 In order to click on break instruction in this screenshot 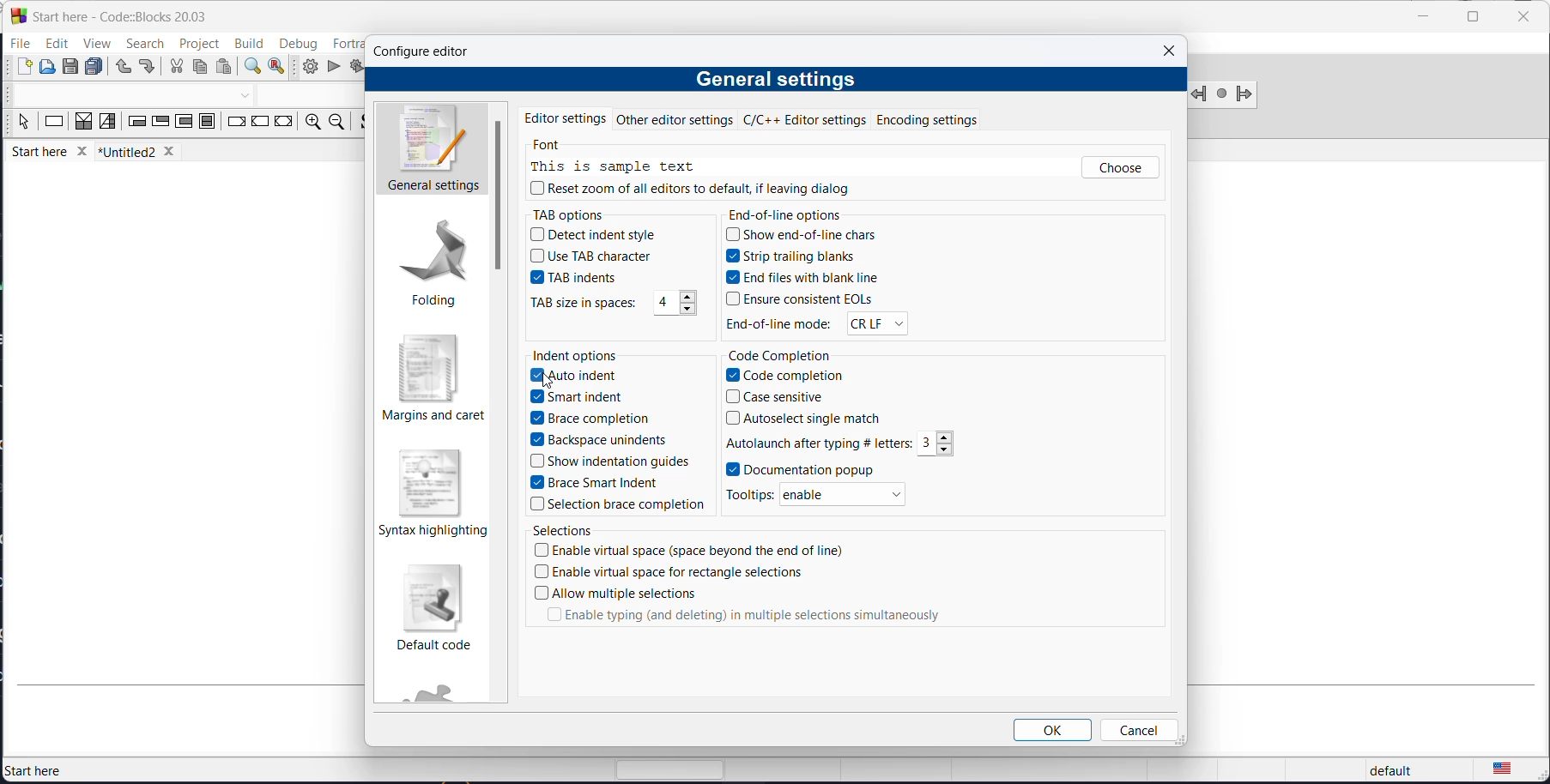, I will do `click(236, 124)`.